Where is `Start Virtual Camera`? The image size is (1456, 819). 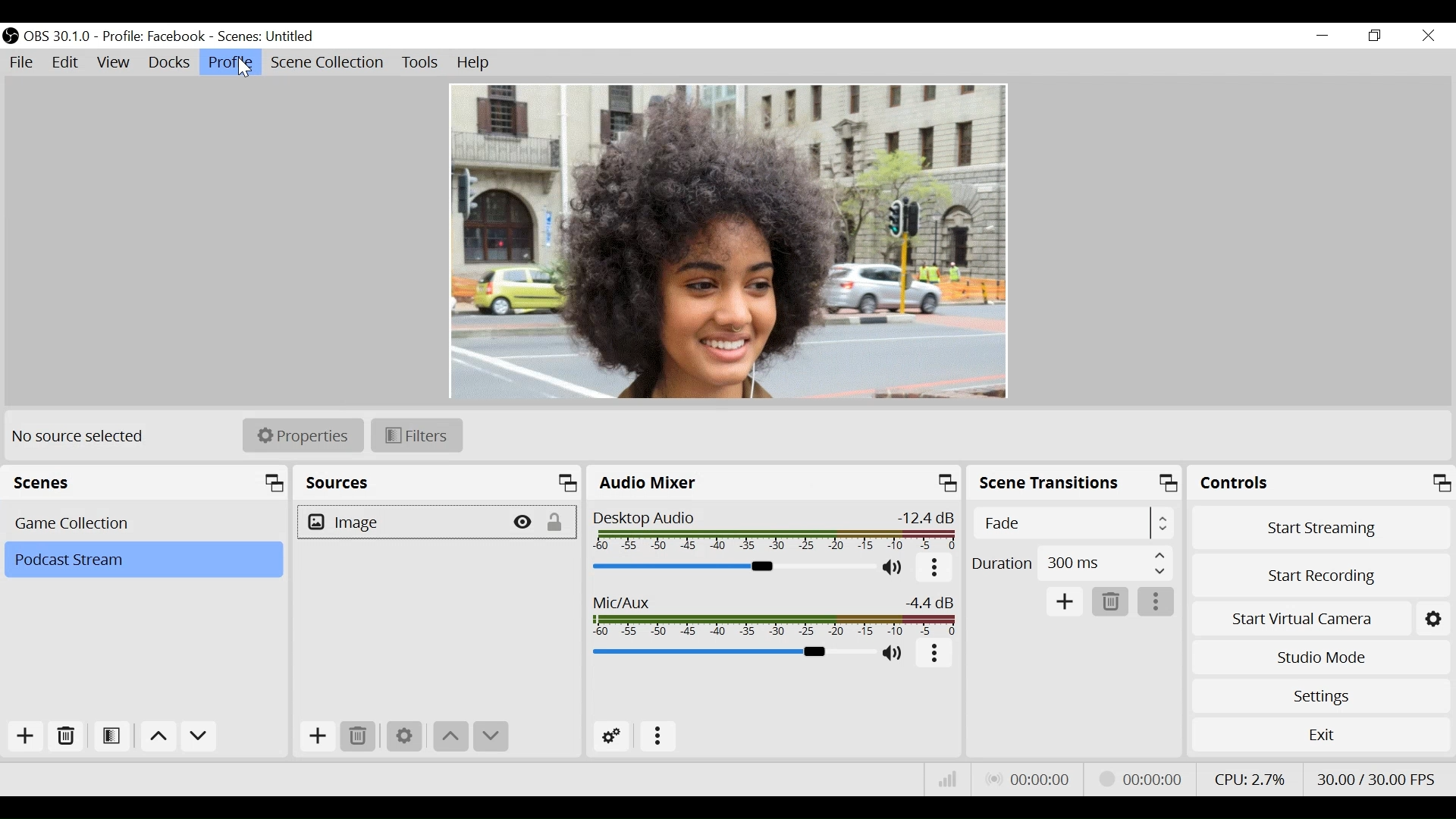
Start Virtual Camera is located at coordinates (1322, 620).